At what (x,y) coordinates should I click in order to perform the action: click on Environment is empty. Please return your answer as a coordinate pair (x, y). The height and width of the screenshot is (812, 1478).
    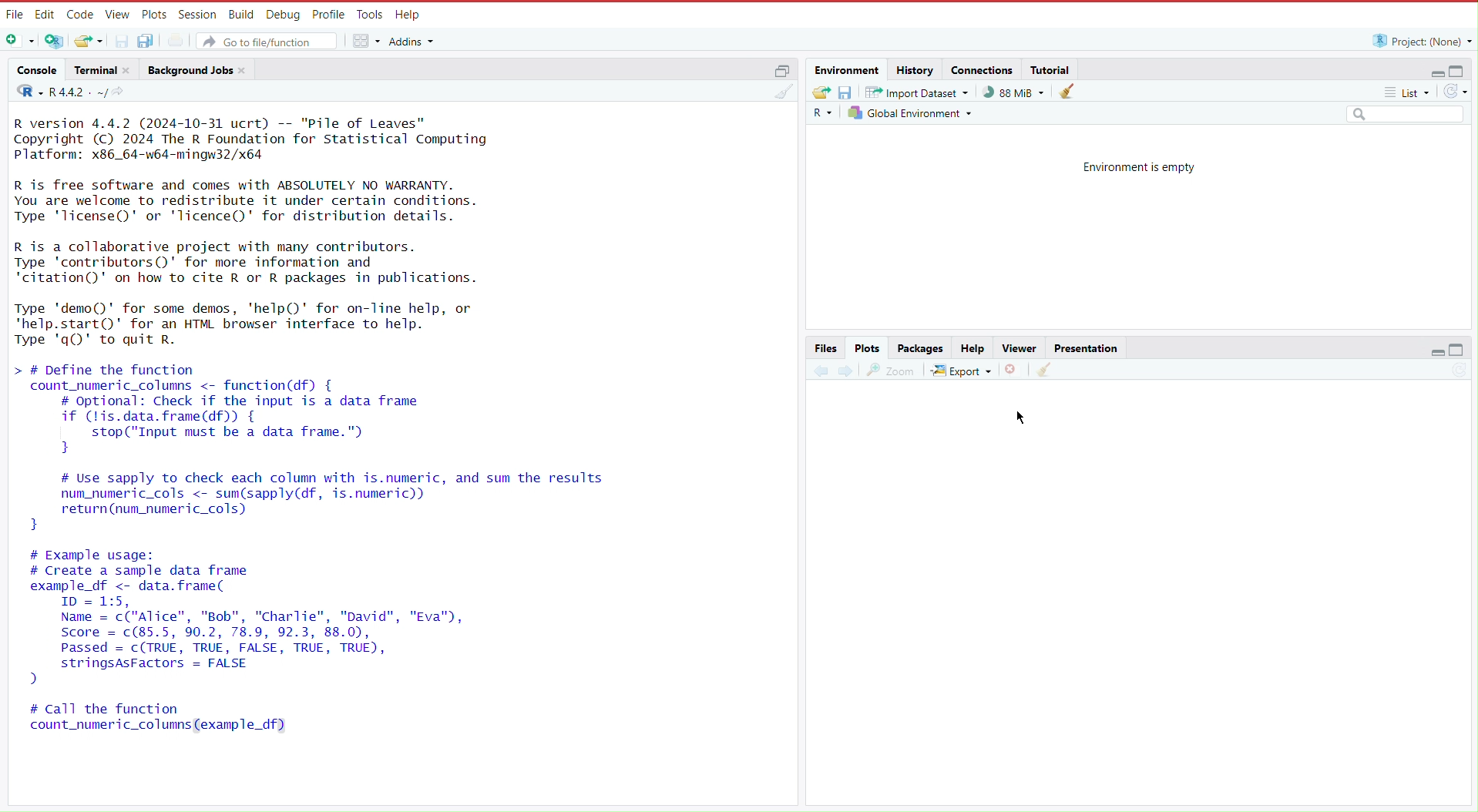
    Looking at the image, I should click on (1139, 166).